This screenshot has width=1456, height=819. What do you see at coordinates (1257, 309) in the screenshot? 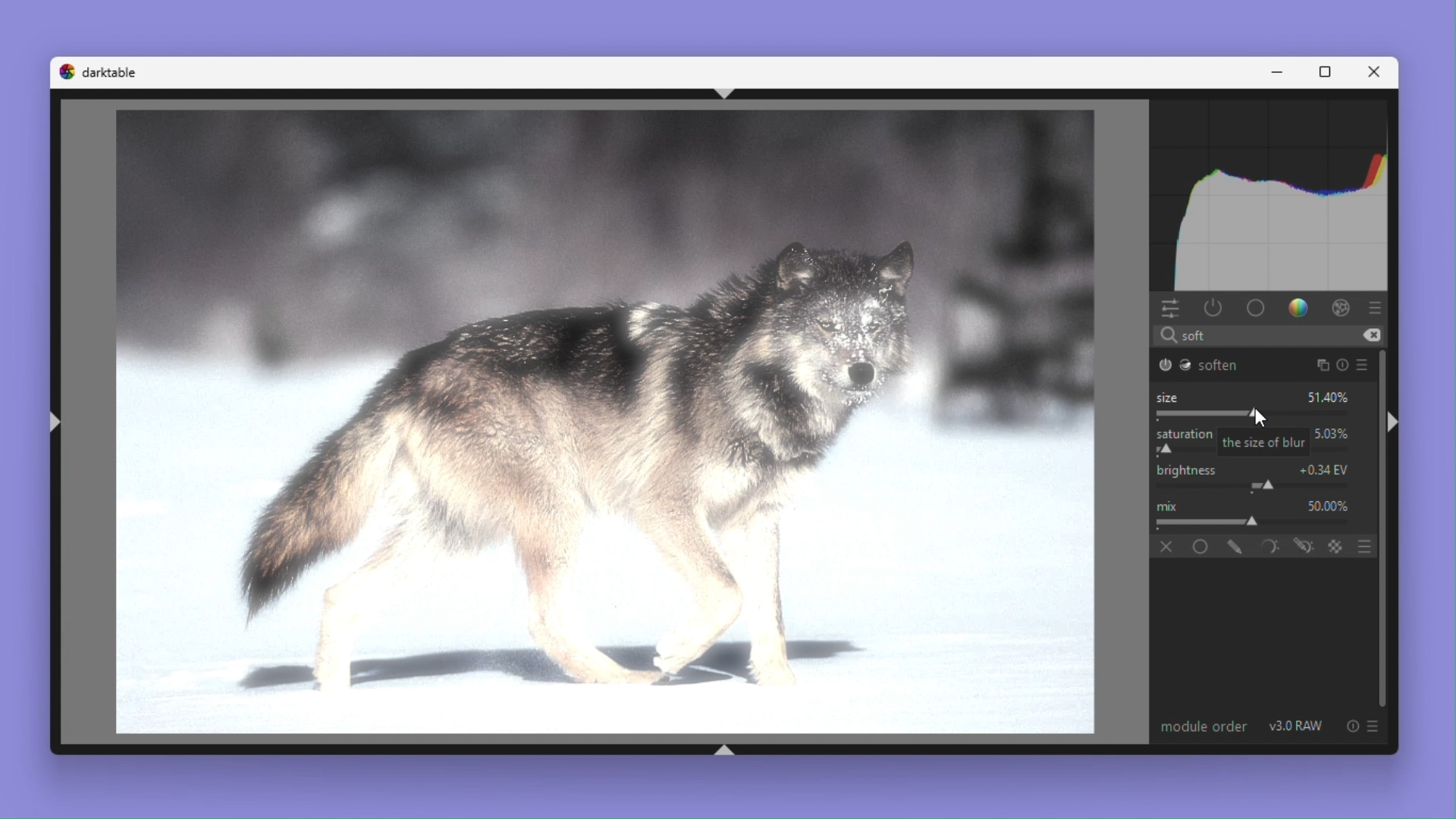
I see `Base` at bounding box center [1257, 309].